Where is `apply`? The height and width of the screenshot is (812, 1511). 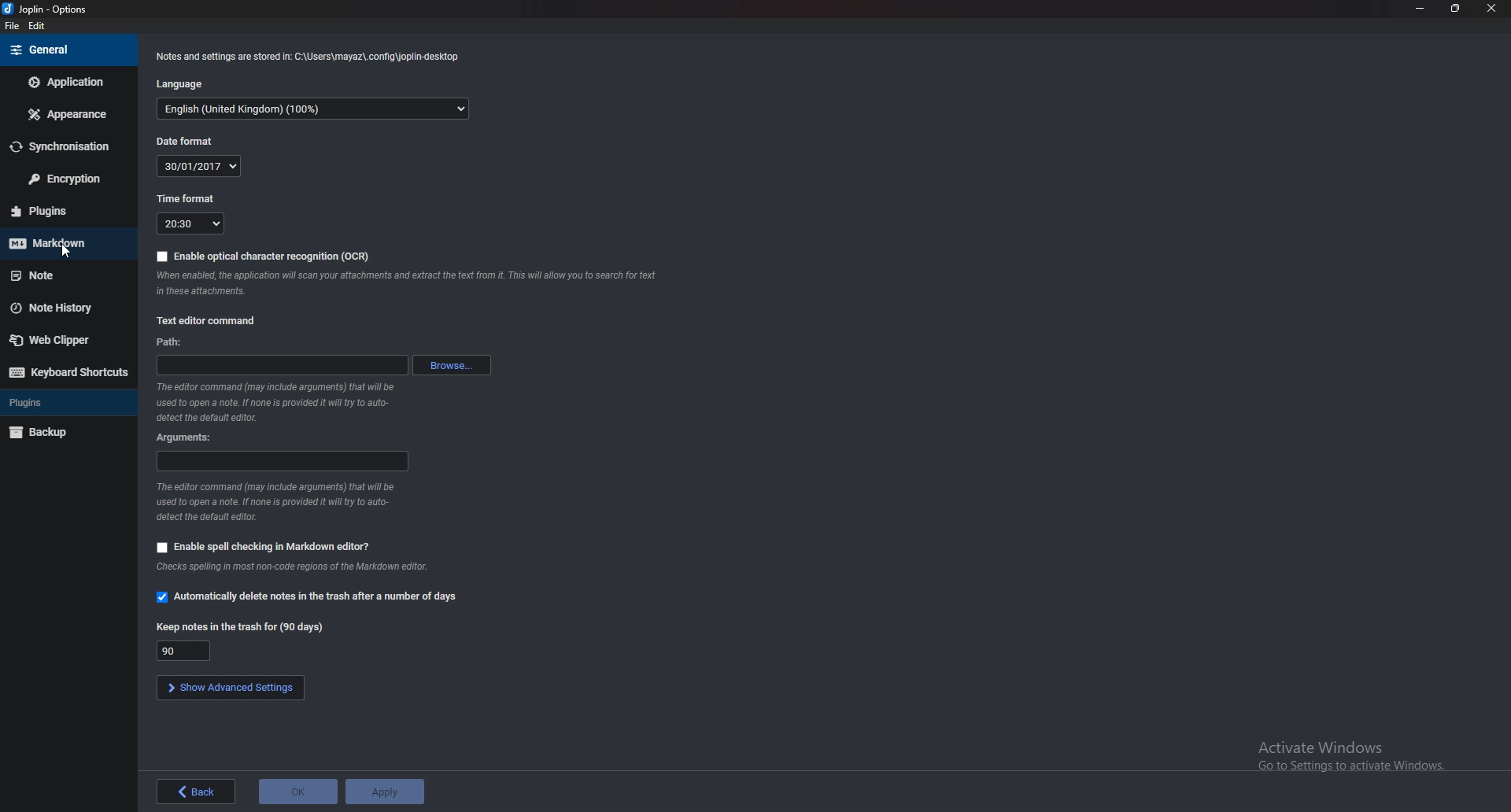 apply is located at coordinates (386, 792).